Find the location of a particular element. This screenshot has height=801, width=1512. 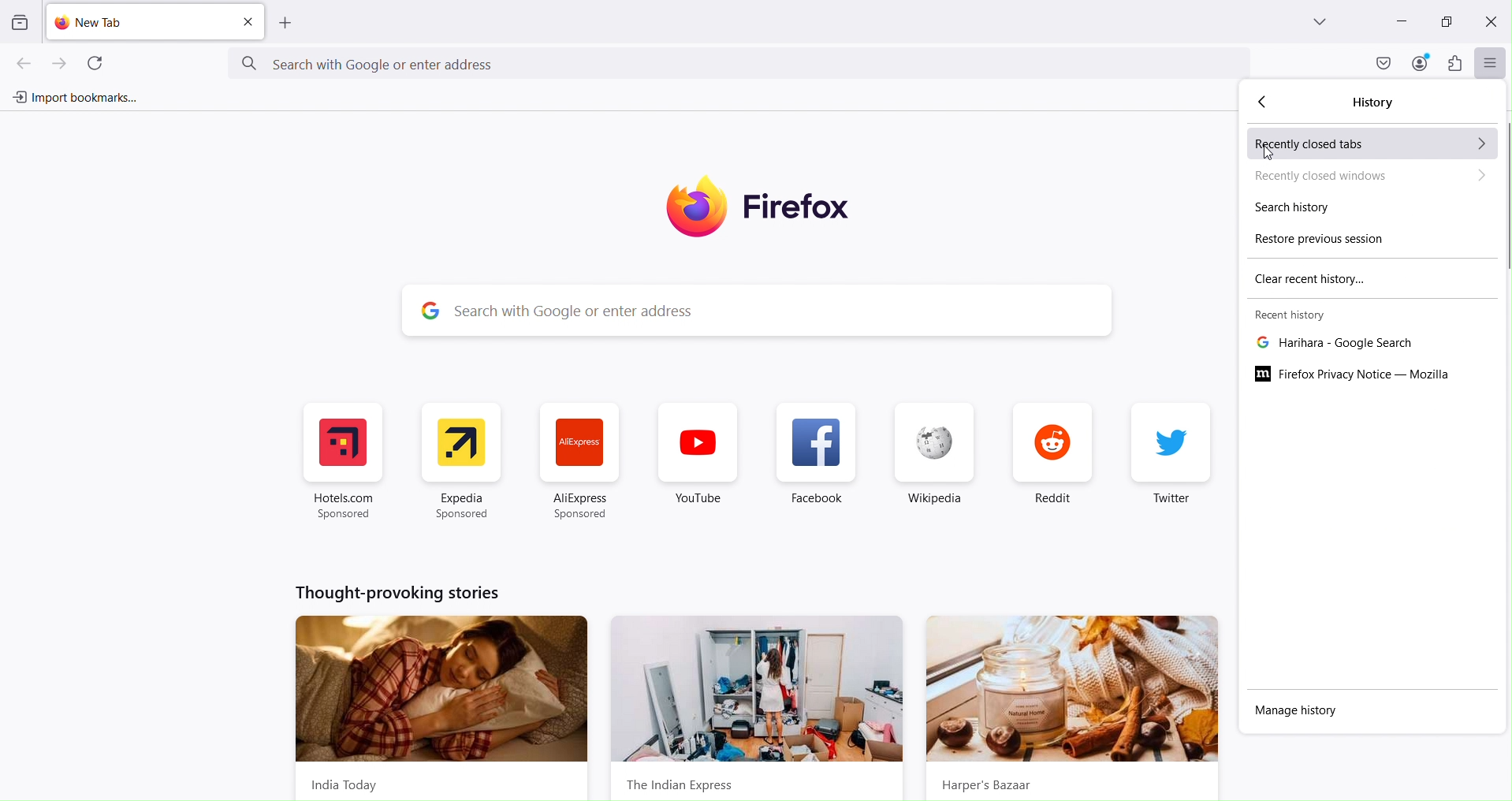

Search with google or enter address is located at coordinates (785, 311).